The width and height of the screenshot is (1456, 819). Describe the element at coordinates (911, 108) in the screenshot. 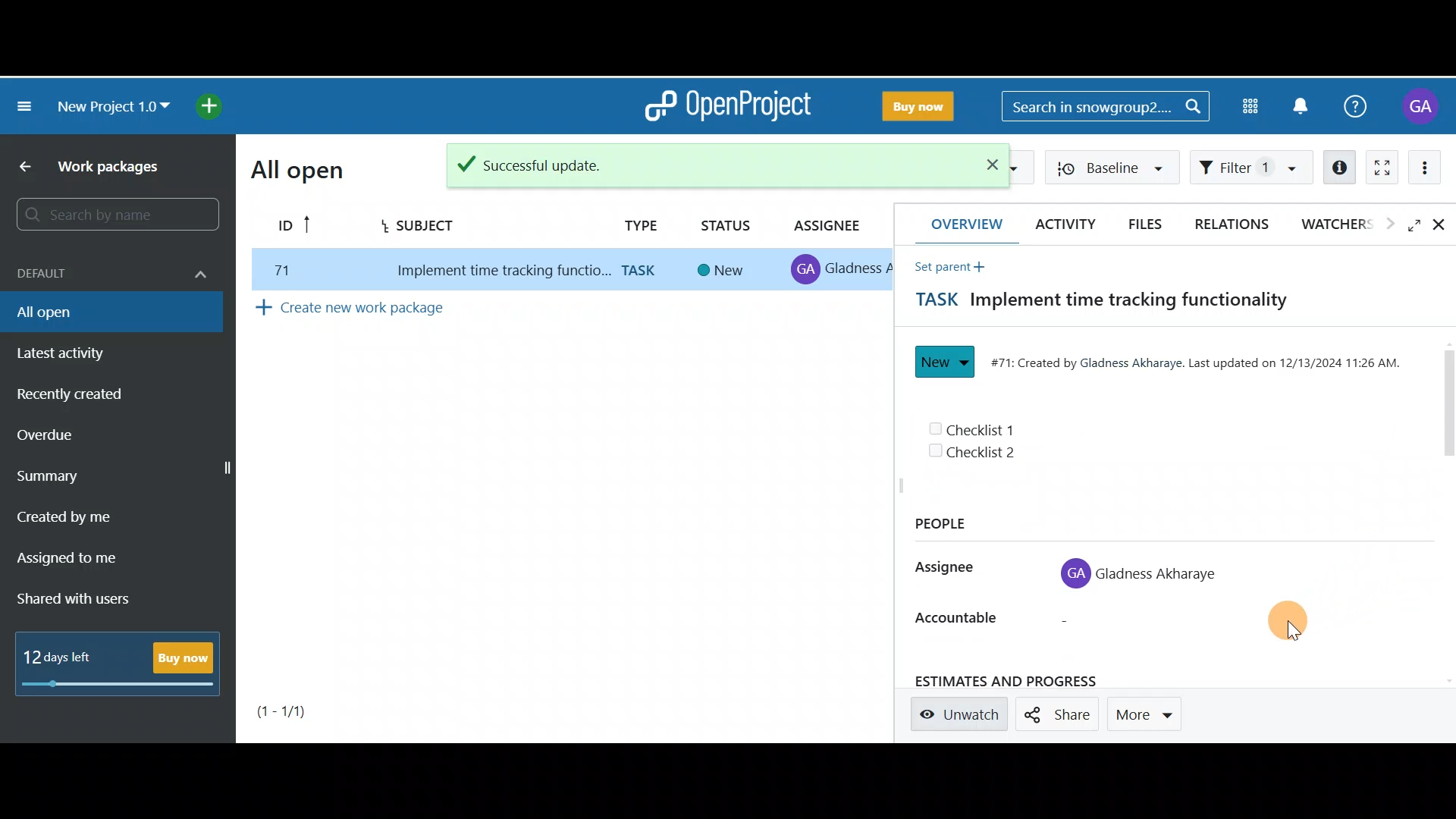

I see `Buy now` at that location.